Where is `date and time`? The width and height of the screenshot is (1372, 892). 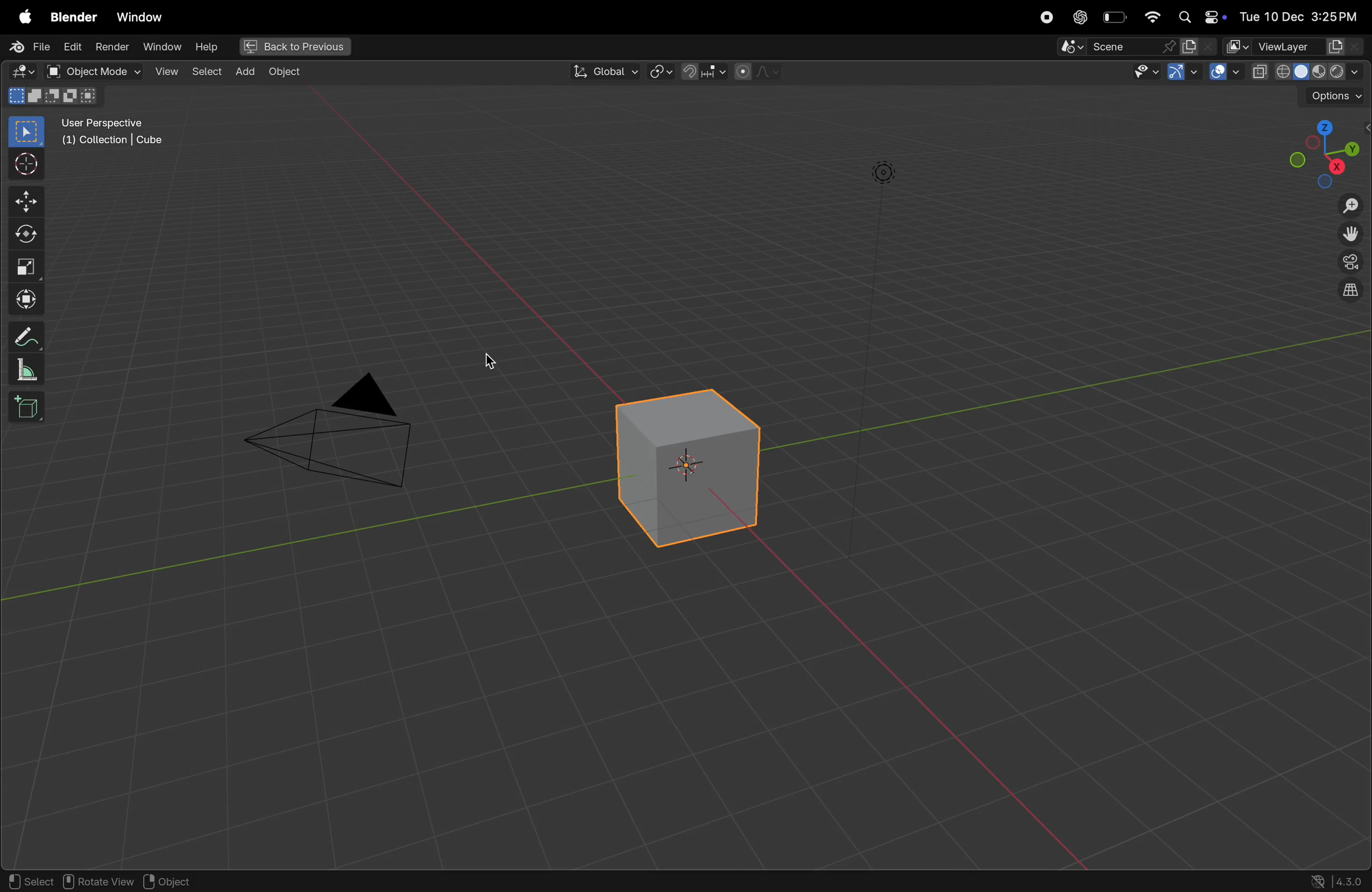
date and time is located at coordinates (1303, 13).